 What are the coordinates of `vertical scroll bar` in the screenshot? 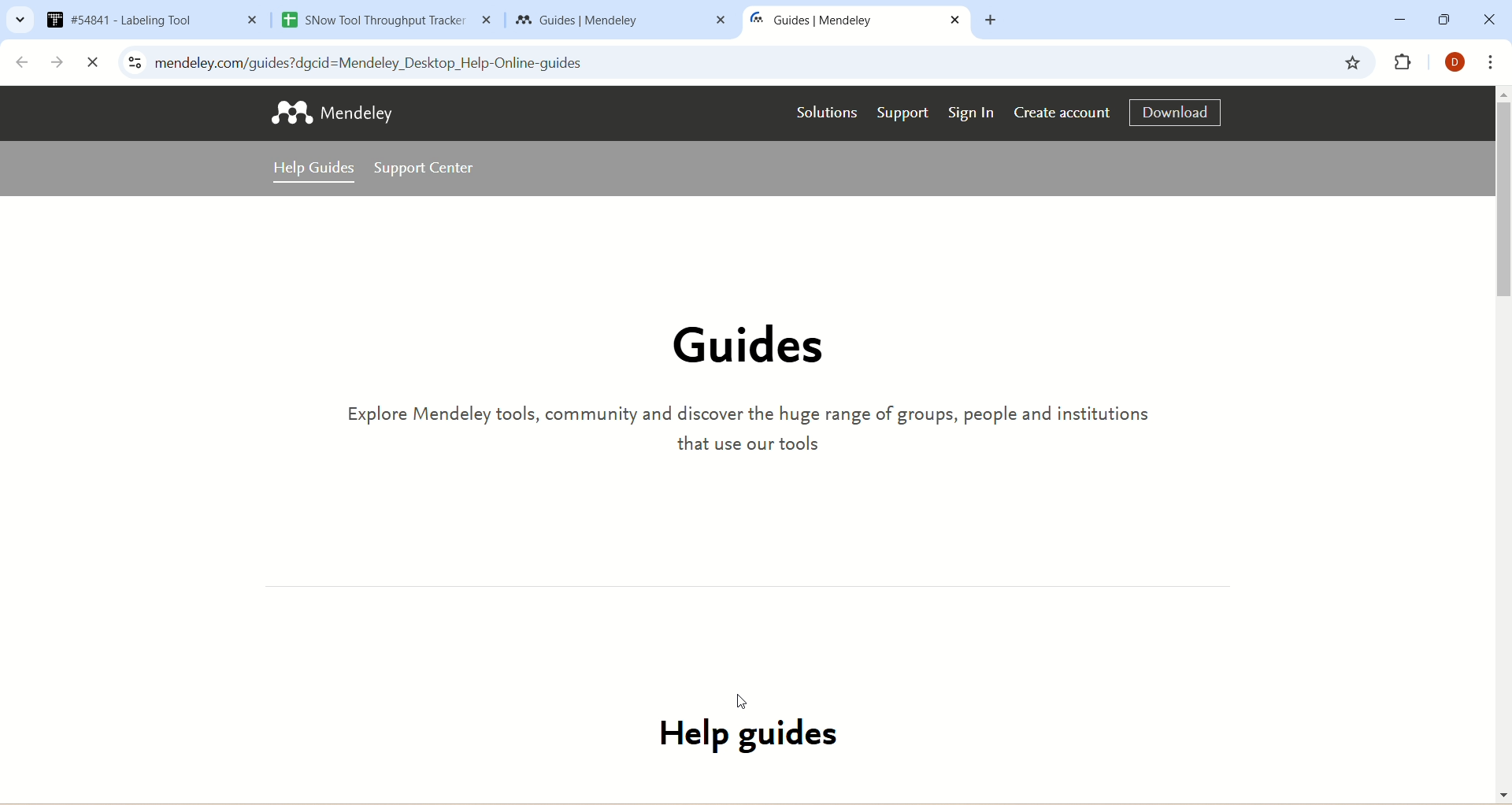 It's located at (1503, 443).